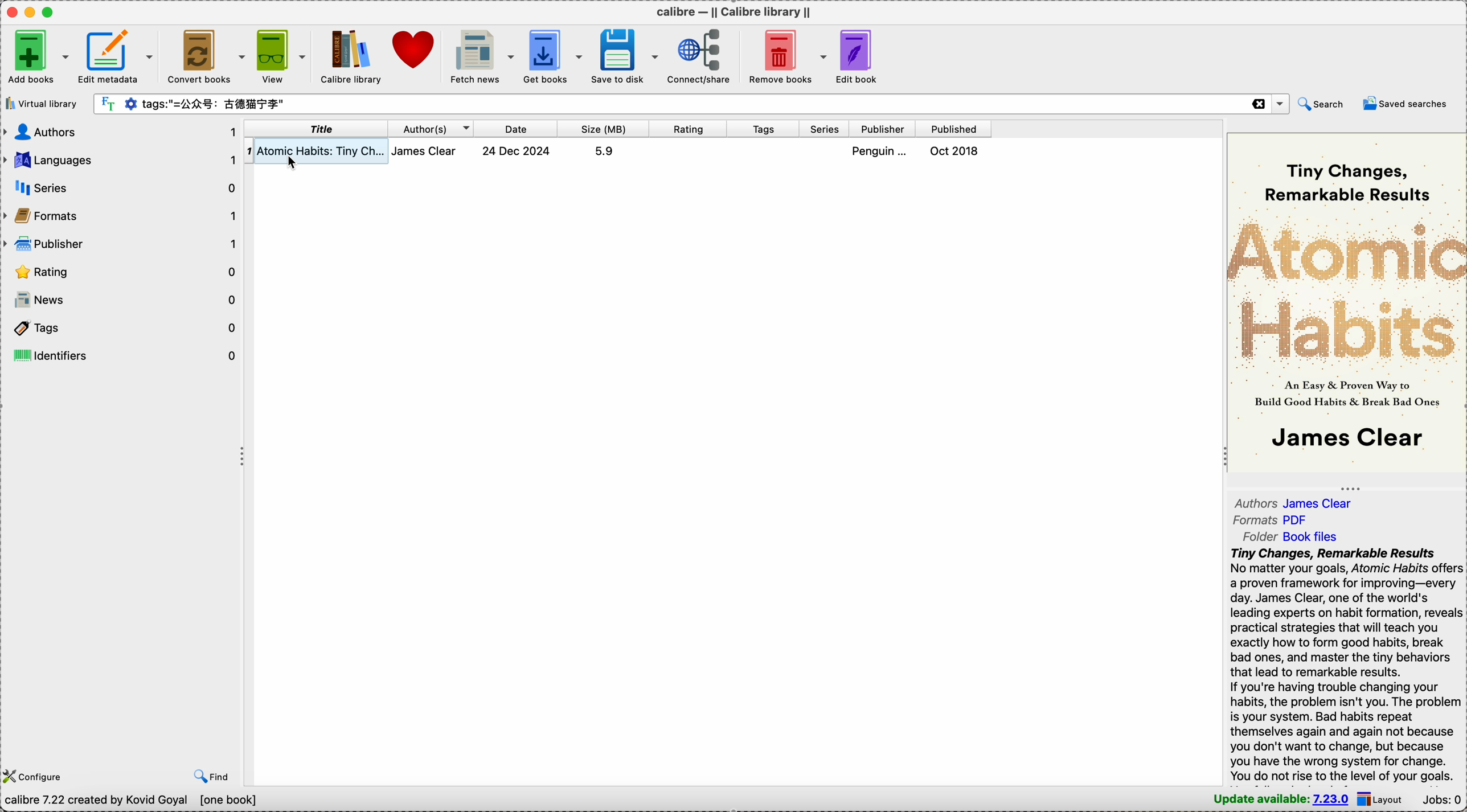 This screenshot has width=1467, height=812. What do you see at coordinates (39, 54) in the screenshot?
I see `add books` at bounding box center [39, 54].